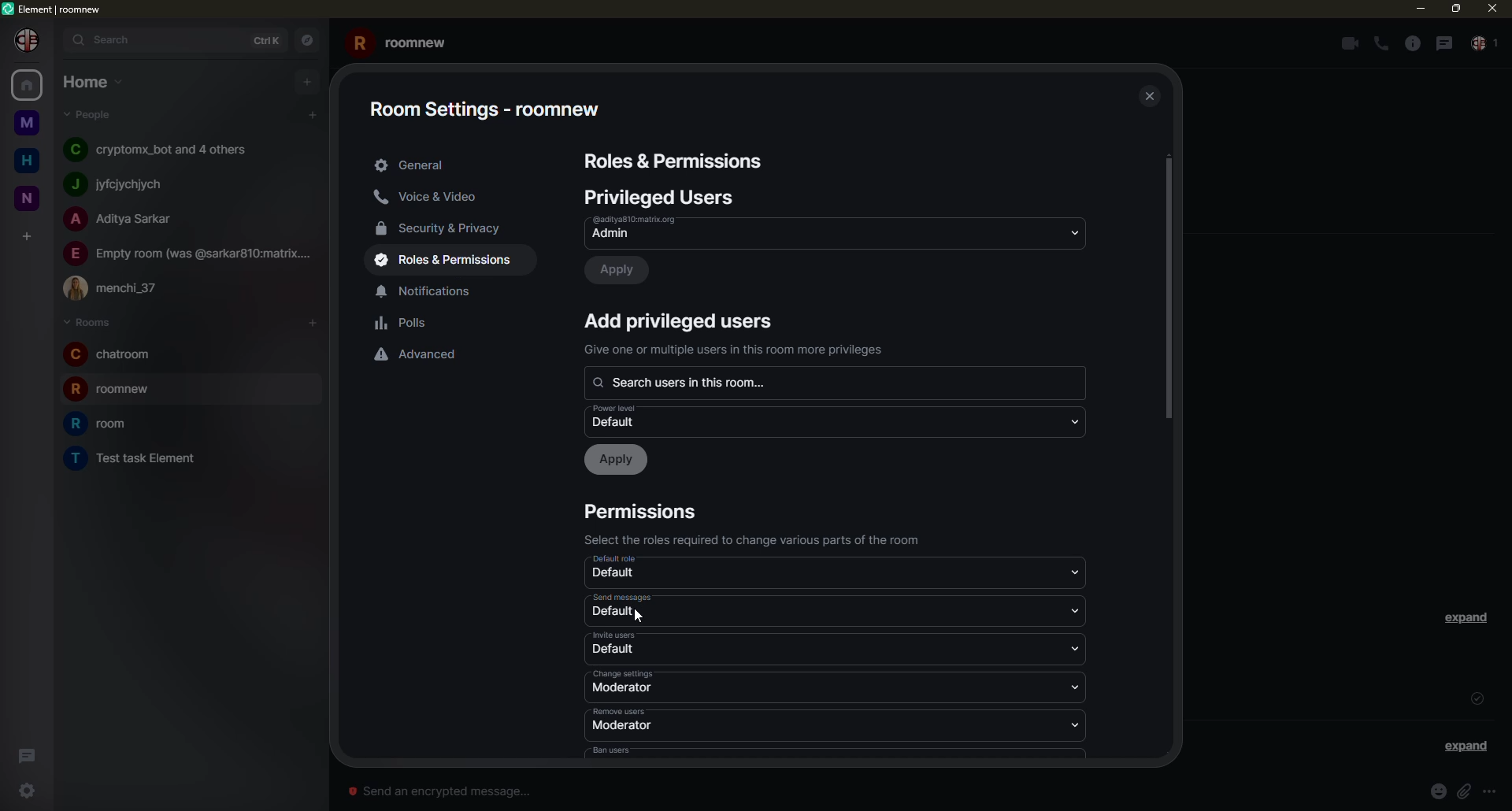 This screenshot has height=811, width=1512. Describe the element at coordinates (622, 417) in the screenshot. I see `default` at that location.